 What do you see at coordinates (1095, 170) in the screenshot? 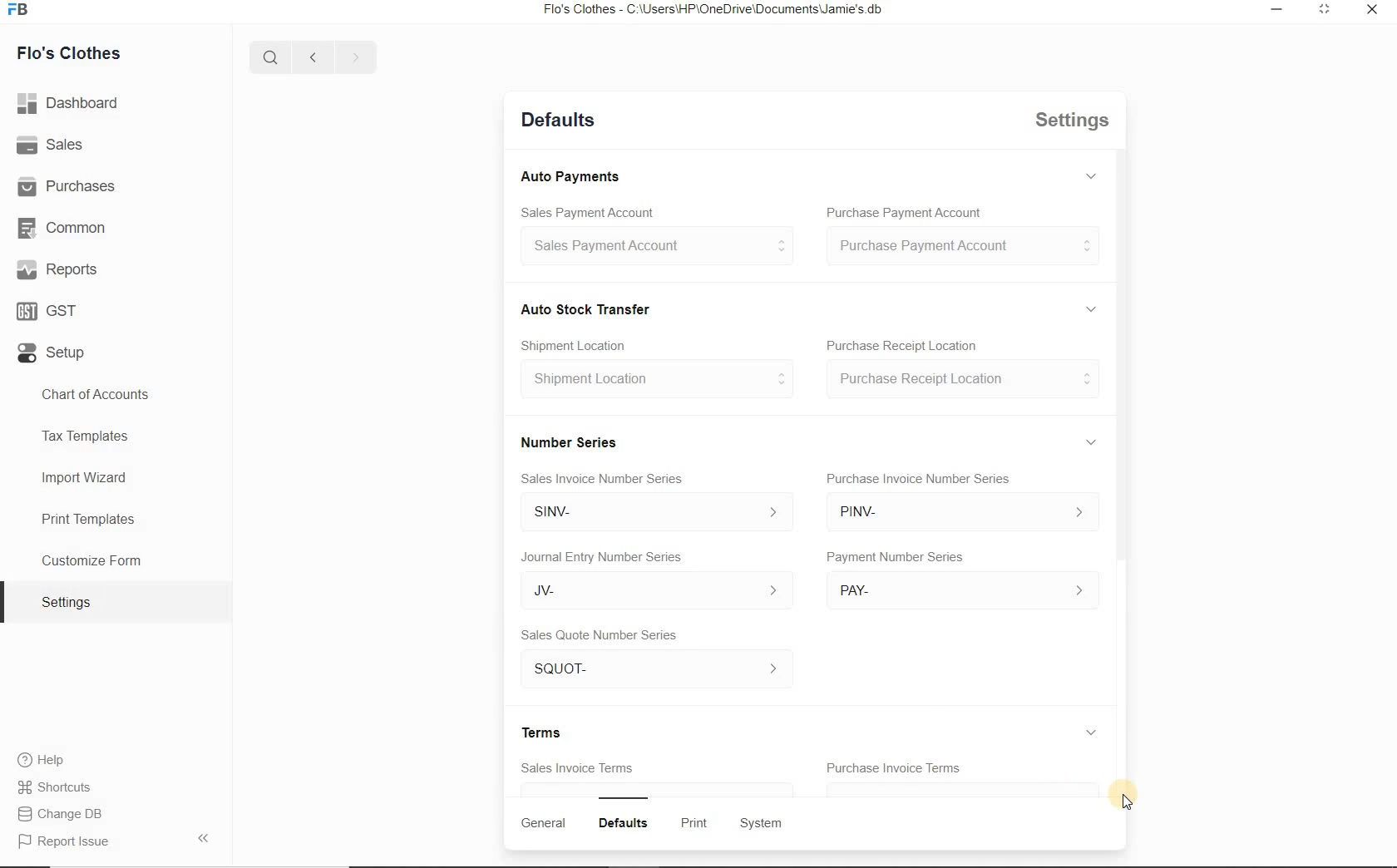
I see `Expand` at bounding box center [1095, 170].